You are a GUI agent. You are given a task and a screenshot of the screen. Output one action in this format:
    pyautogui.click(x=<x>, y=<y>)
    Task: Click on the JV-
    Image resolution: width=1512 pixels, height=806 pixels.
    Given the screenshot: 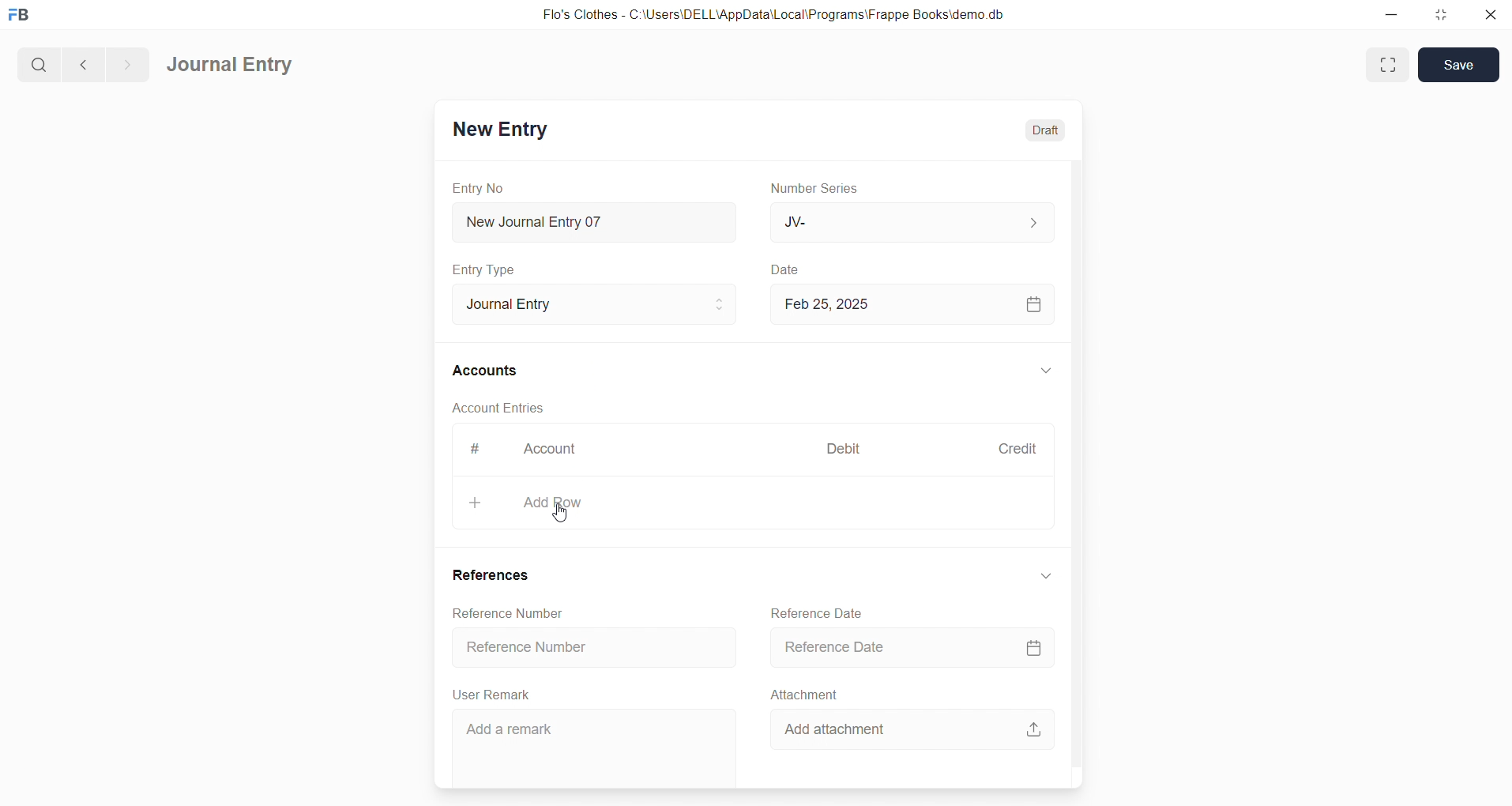 What is the action you would take?
    pyautogui.click(x=910, y=223)
    